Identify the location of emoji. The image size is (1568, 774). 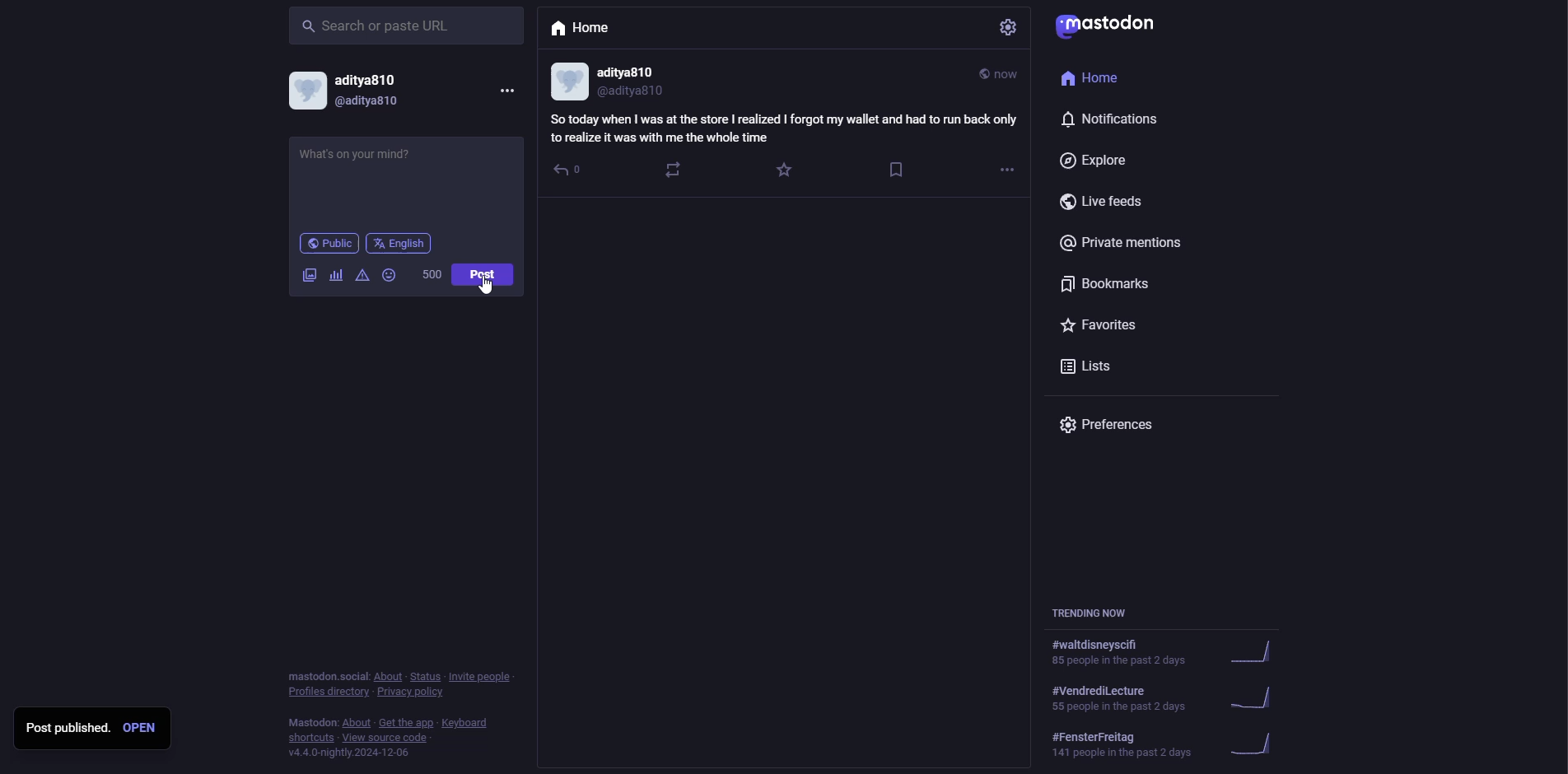
(390, 275).